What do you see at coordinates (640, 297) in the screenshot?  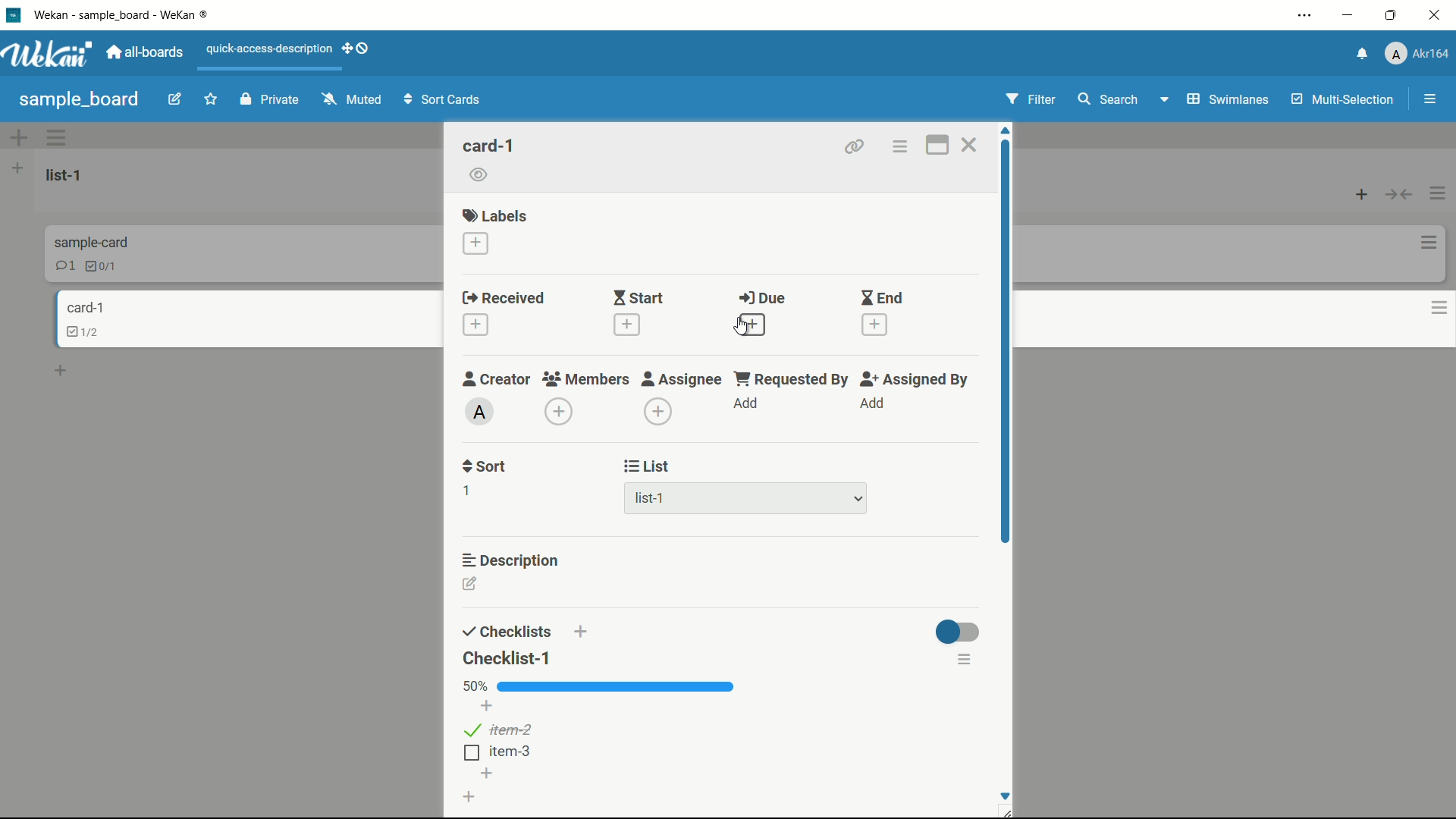 I see `start` at bounding box center [640, 297].